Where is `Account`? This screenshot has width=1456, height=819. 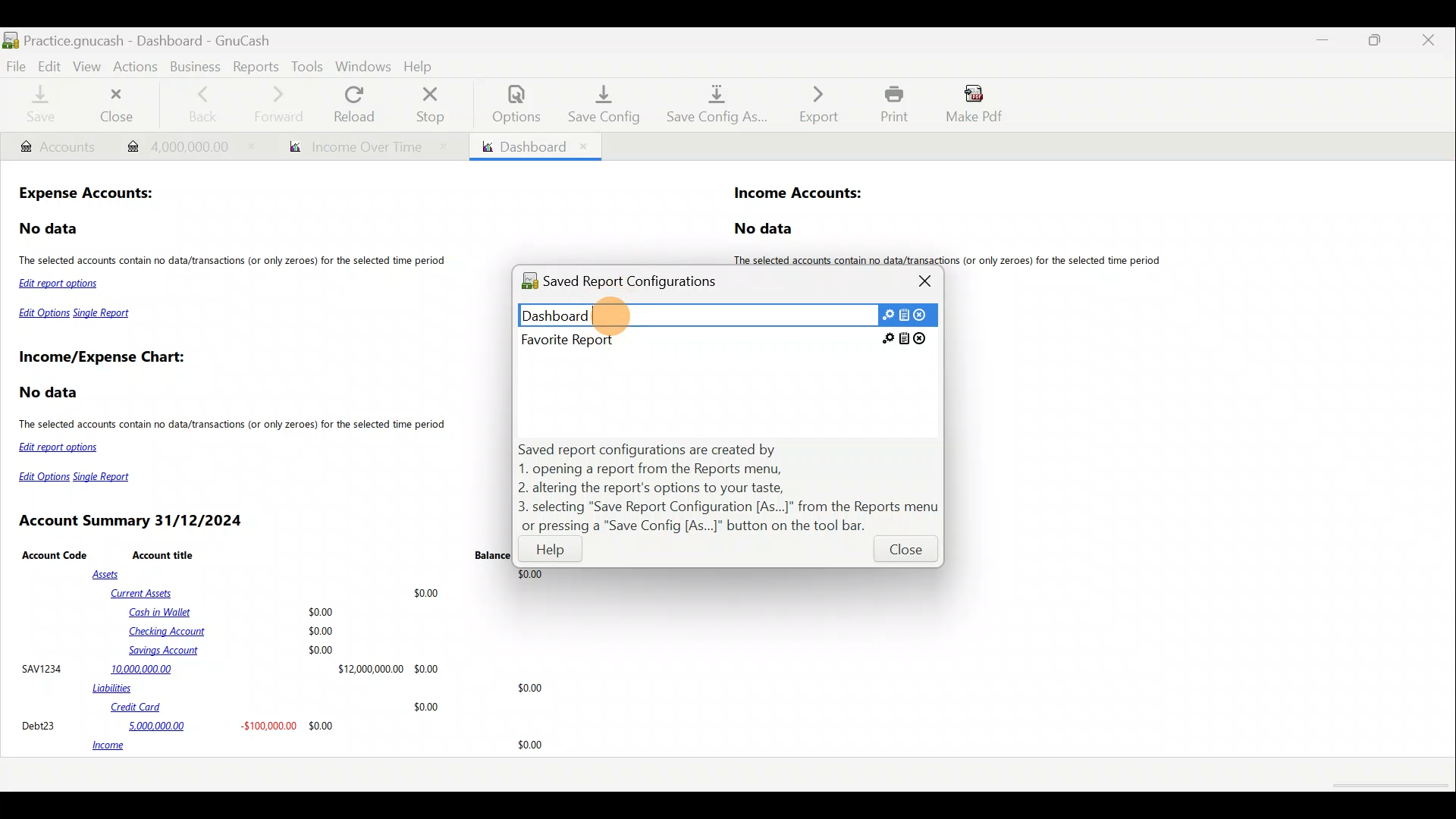 Account is located at coordinates (57, 147).